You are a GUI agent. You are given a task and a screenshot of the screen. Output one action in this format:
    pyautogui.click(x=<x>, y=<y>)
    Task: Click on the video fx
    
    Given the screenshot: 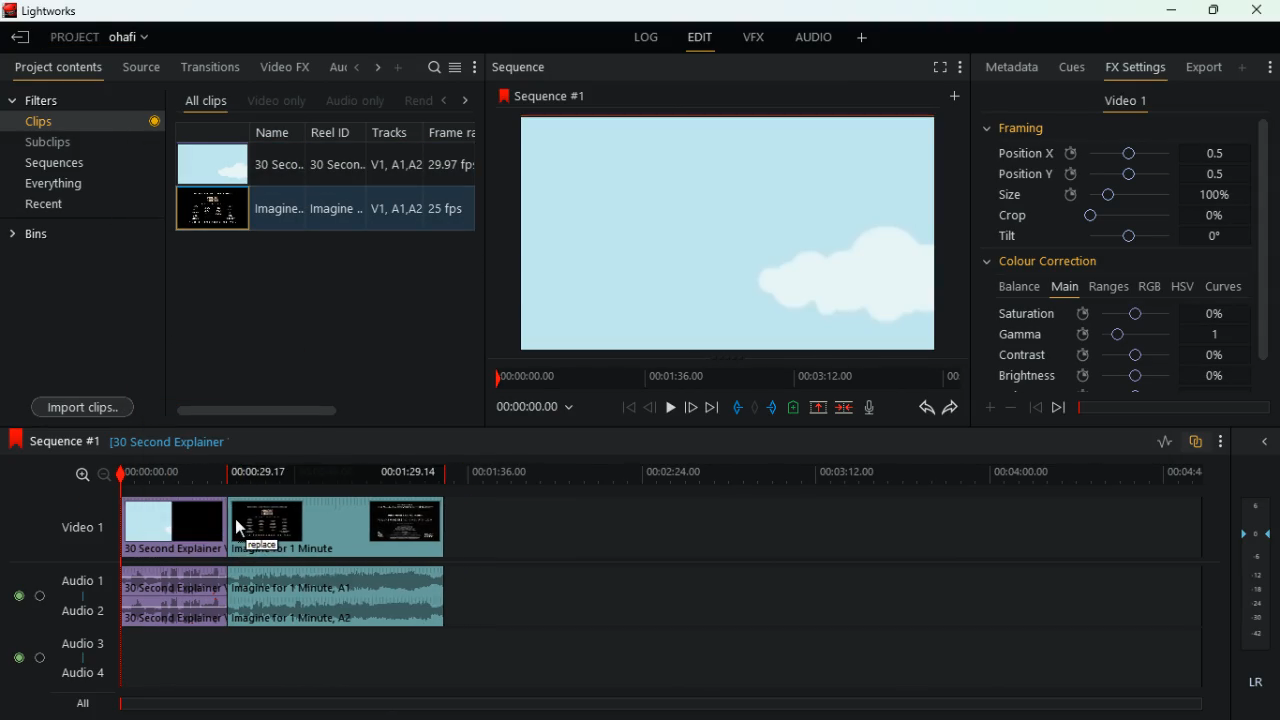 What is the action you would take?
    pyautogui.click(x=282, y=68)
    